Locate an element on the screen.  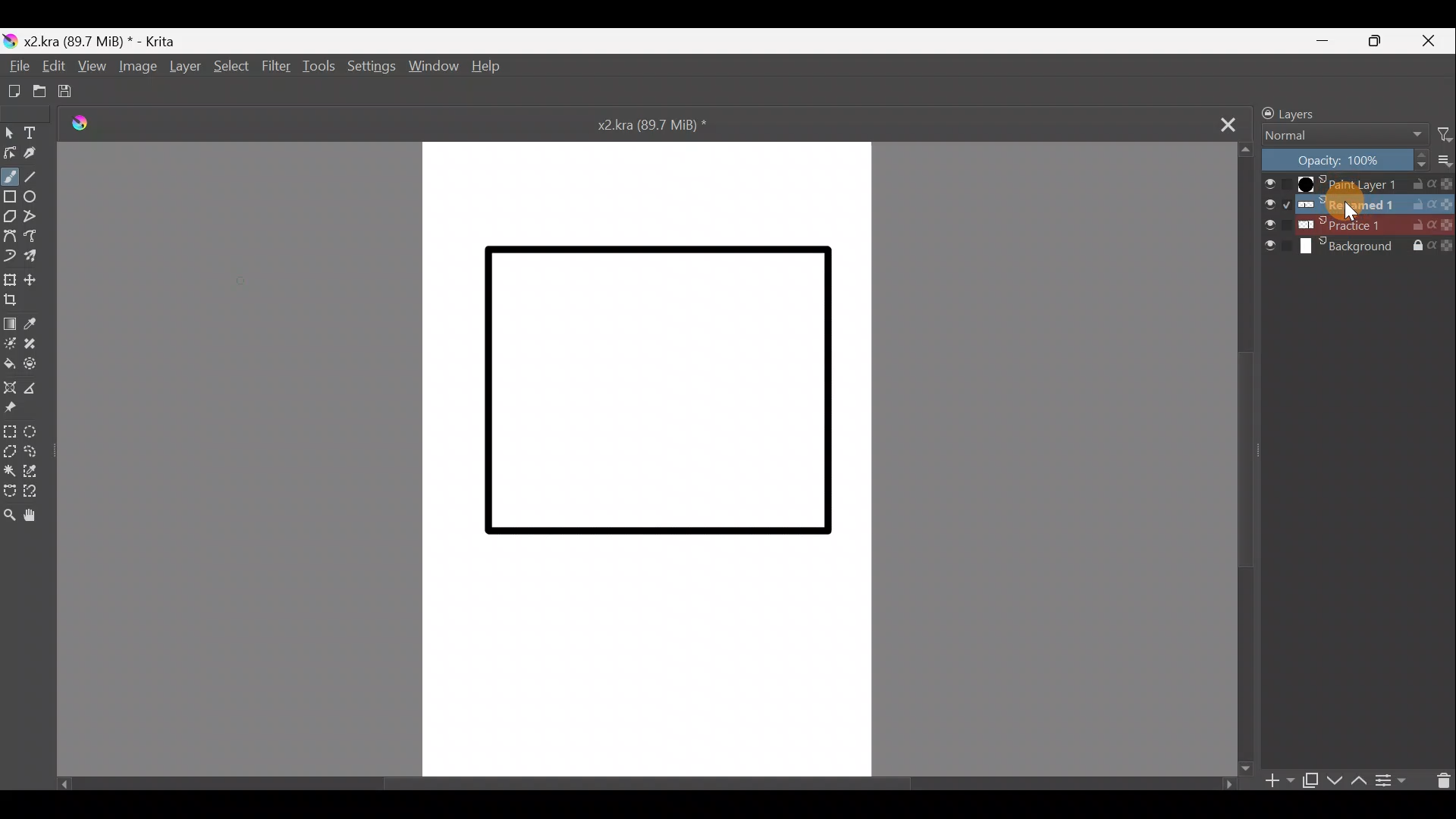
Colourise mask tool is located at coordinates (11, 343).